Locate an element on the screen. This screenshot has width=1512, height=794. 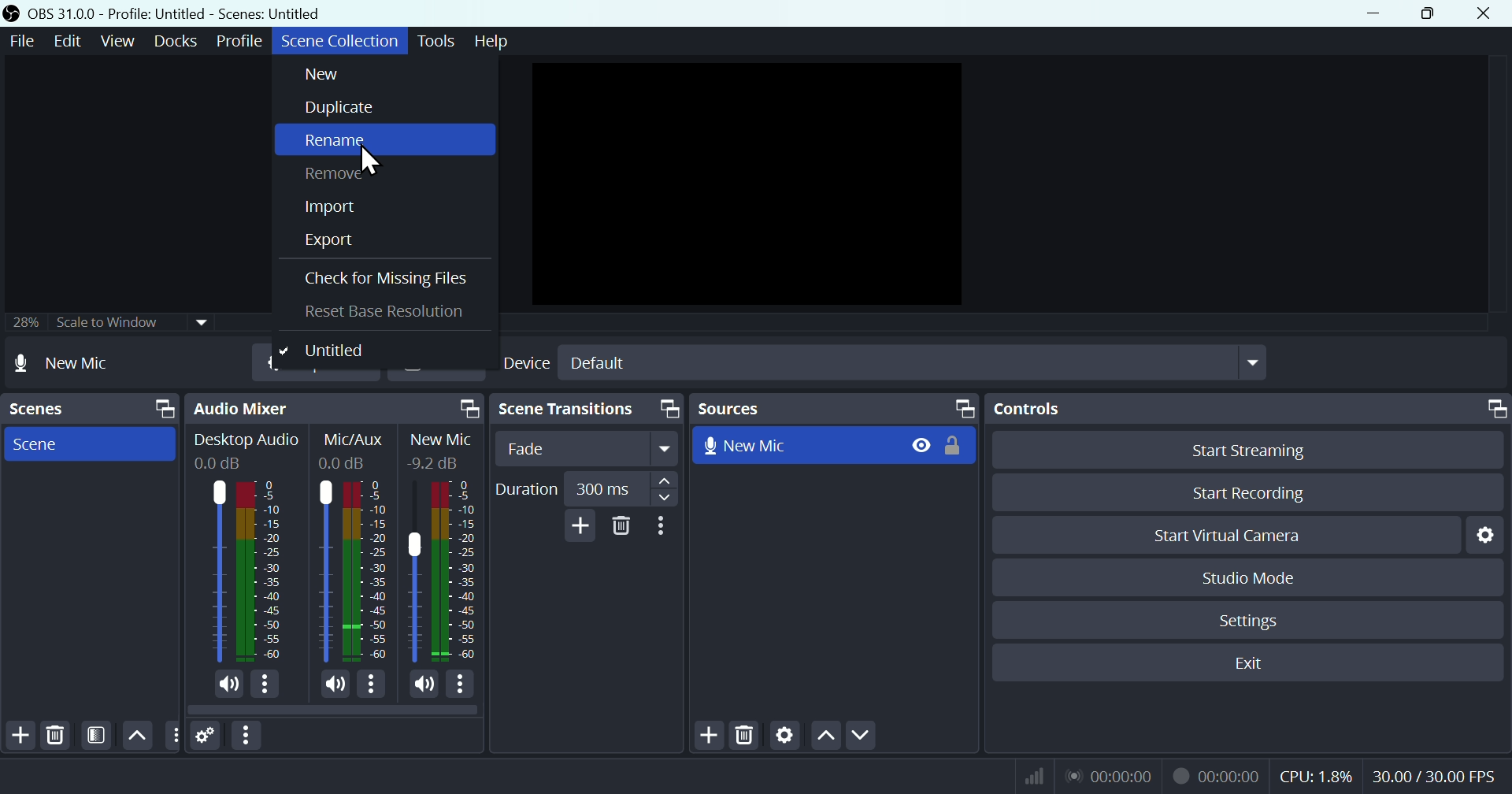
-9.2dB is located at coordinates (435, 464).